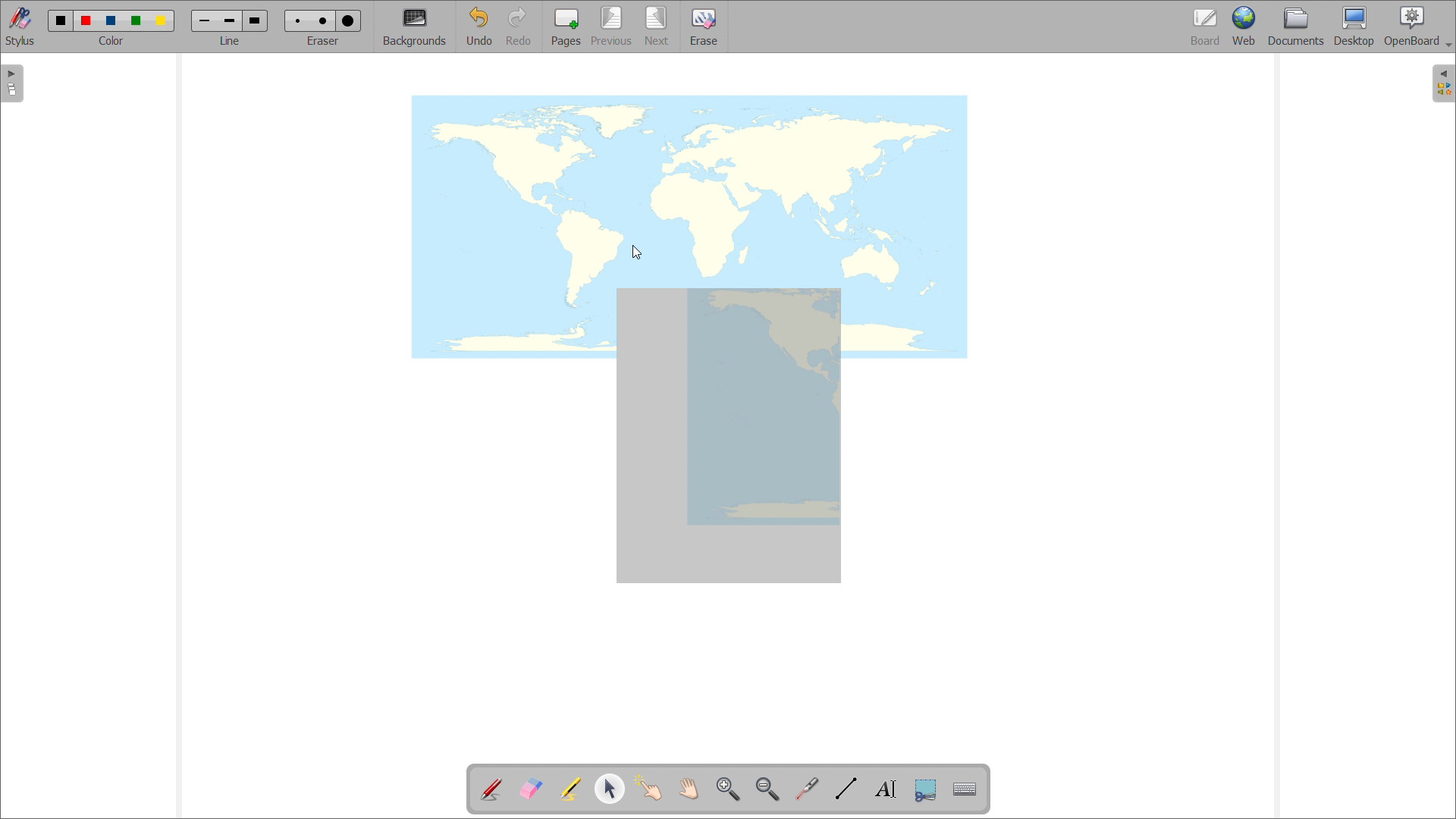  I want to click on next page, so click(657, 26).